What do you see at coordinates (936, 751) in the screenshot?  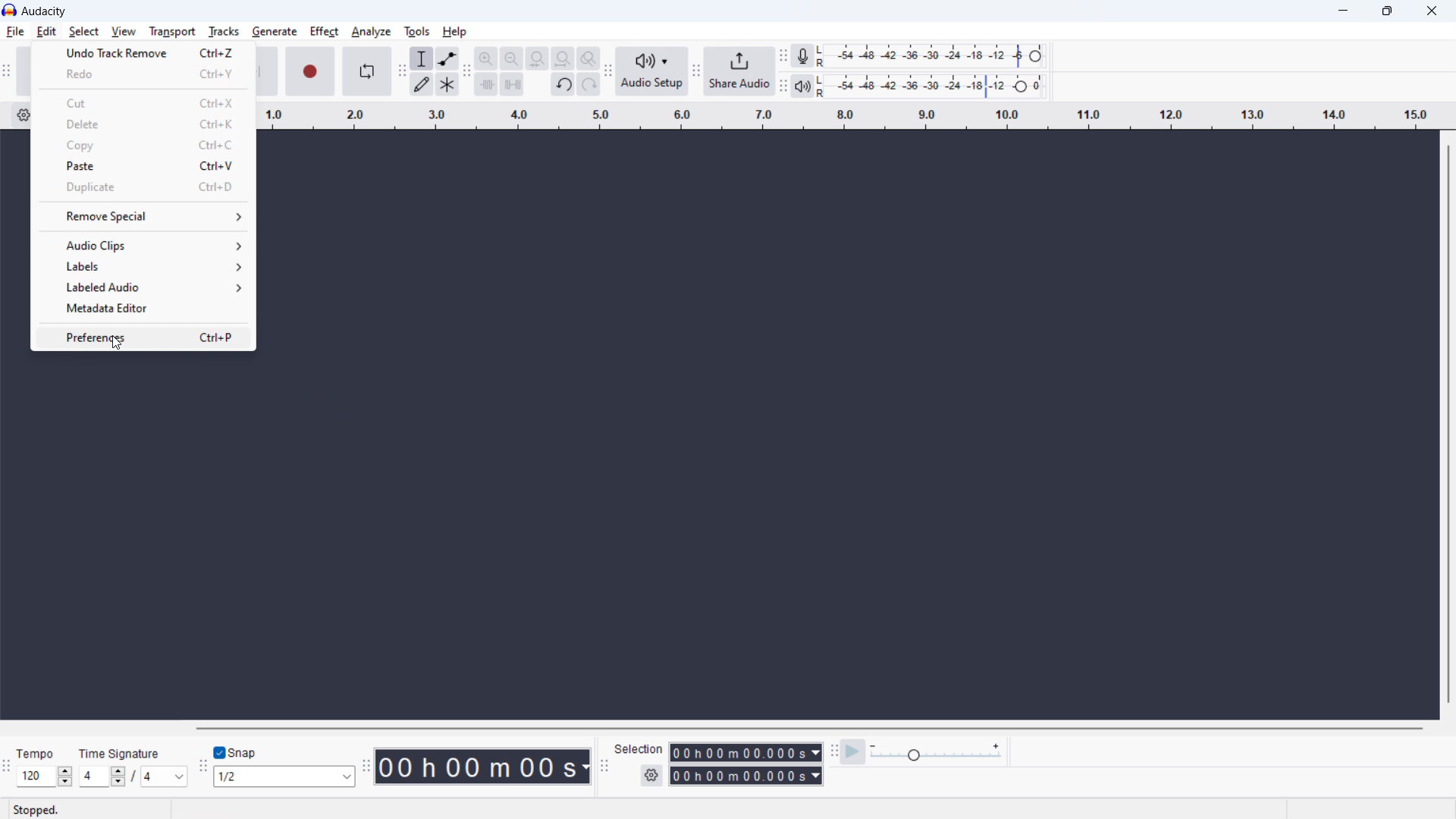 I see `playback speed` at bounding box center [936, 751].